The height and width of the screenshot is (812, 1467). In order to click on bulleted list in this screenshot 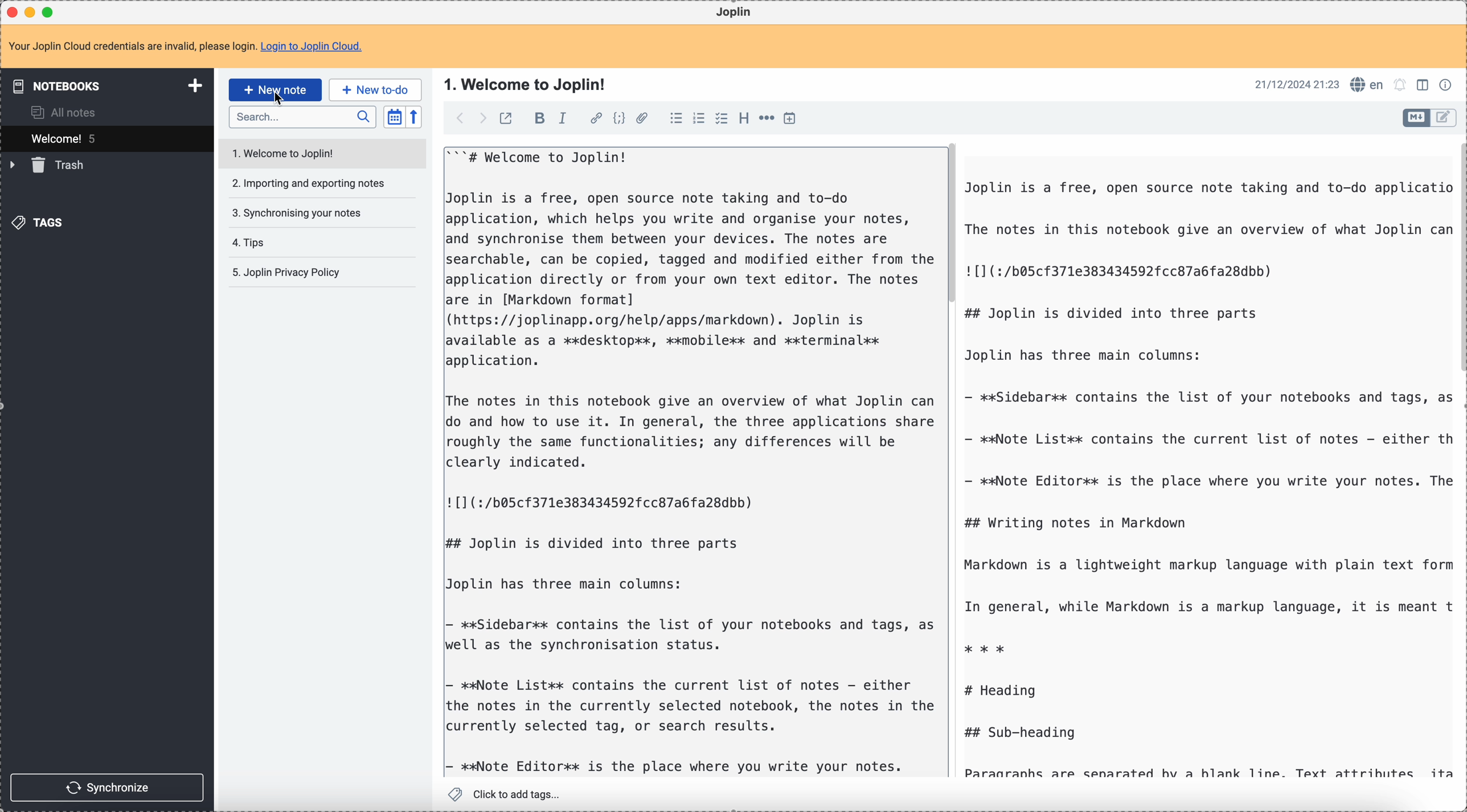, I will do `click(676, 119)`.